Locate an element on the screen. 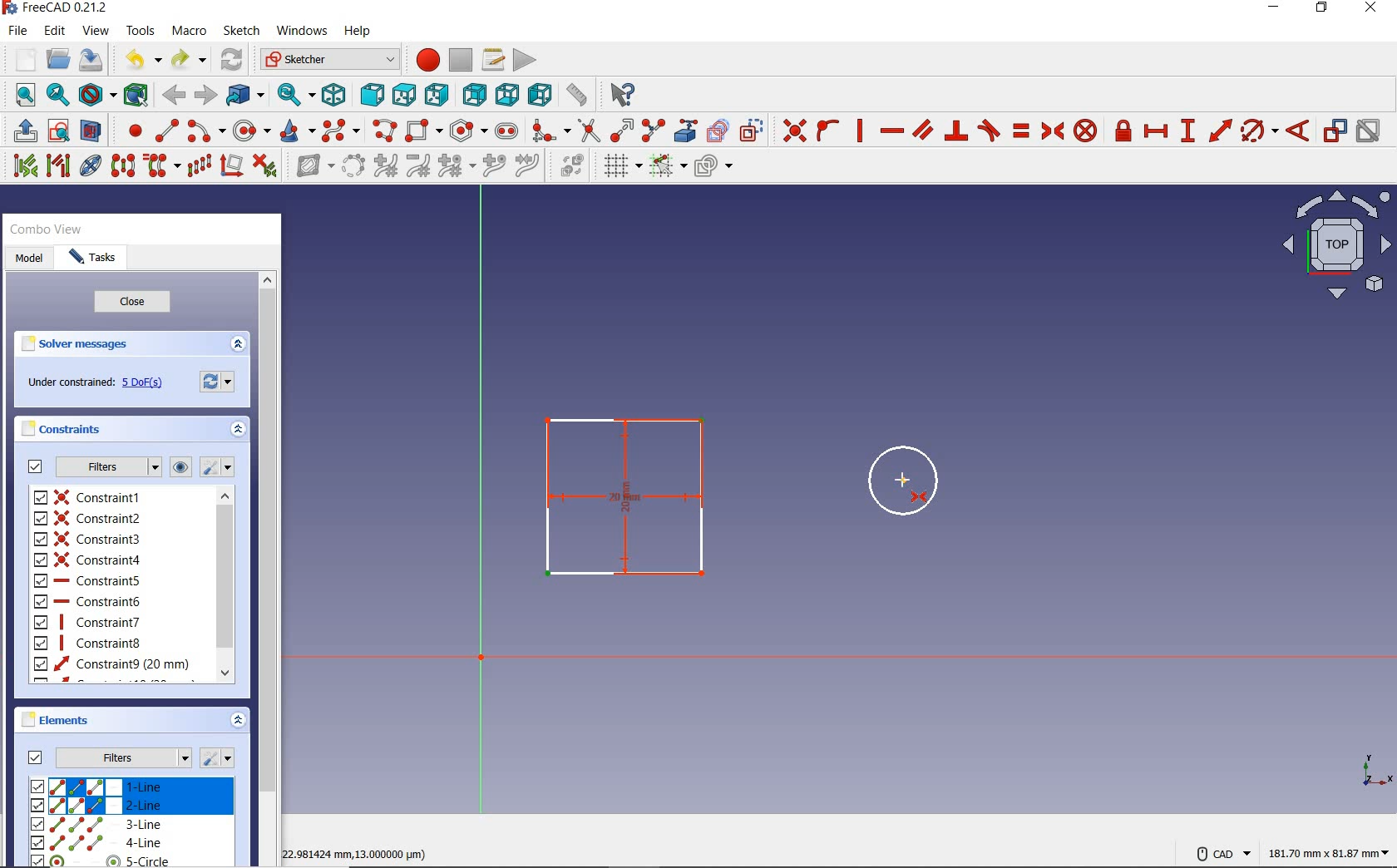 The height and width of the screenshot is (868, 1397). forces recomputation of active document is located at coordinates (221, 384).